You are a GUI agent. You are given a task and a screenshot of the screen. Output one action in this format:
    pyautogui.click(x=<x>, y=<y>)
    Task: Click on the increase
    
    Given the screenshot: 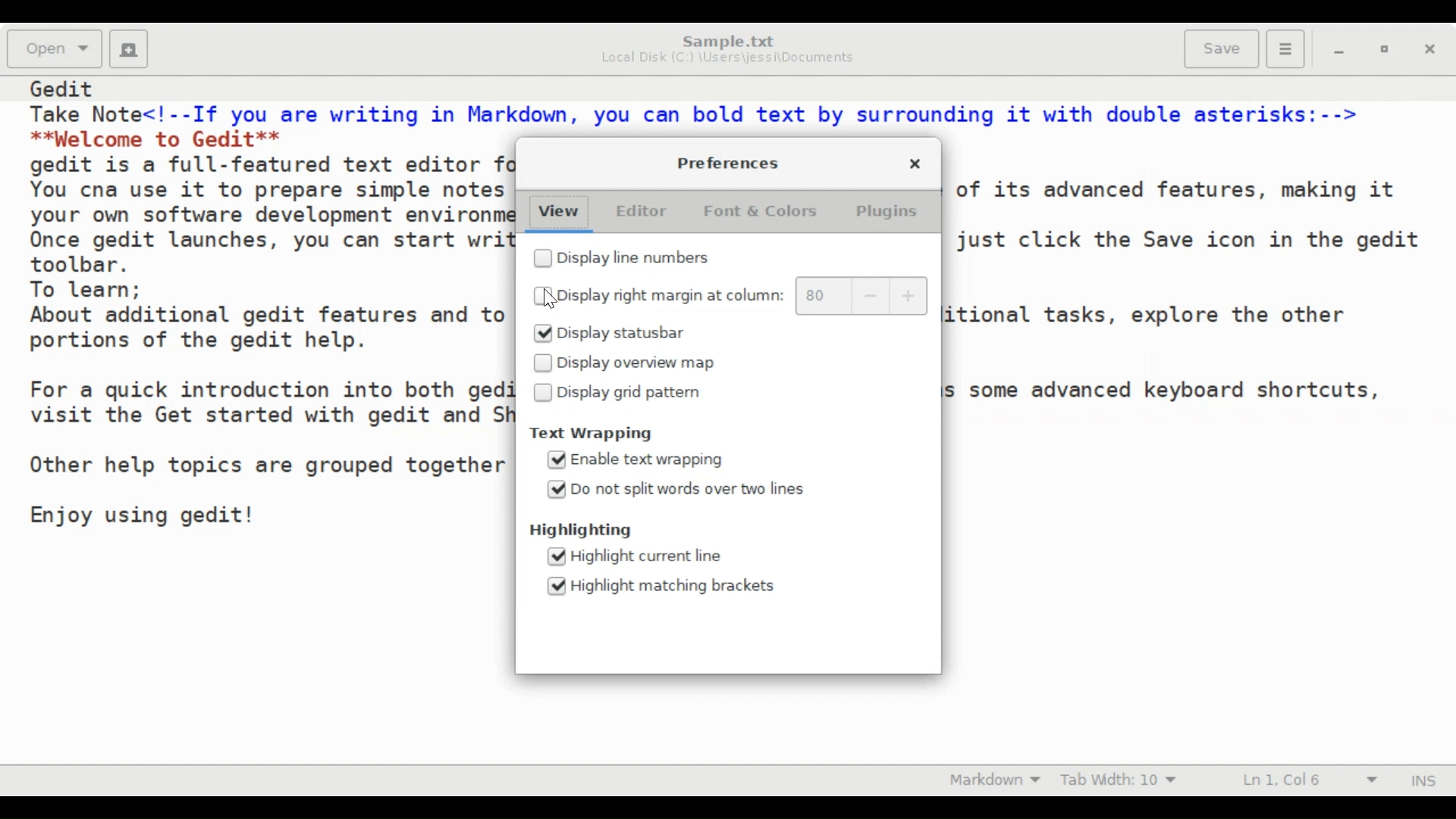 What is the action you would take?
    pyautogui.click(x=911, y=297)
    